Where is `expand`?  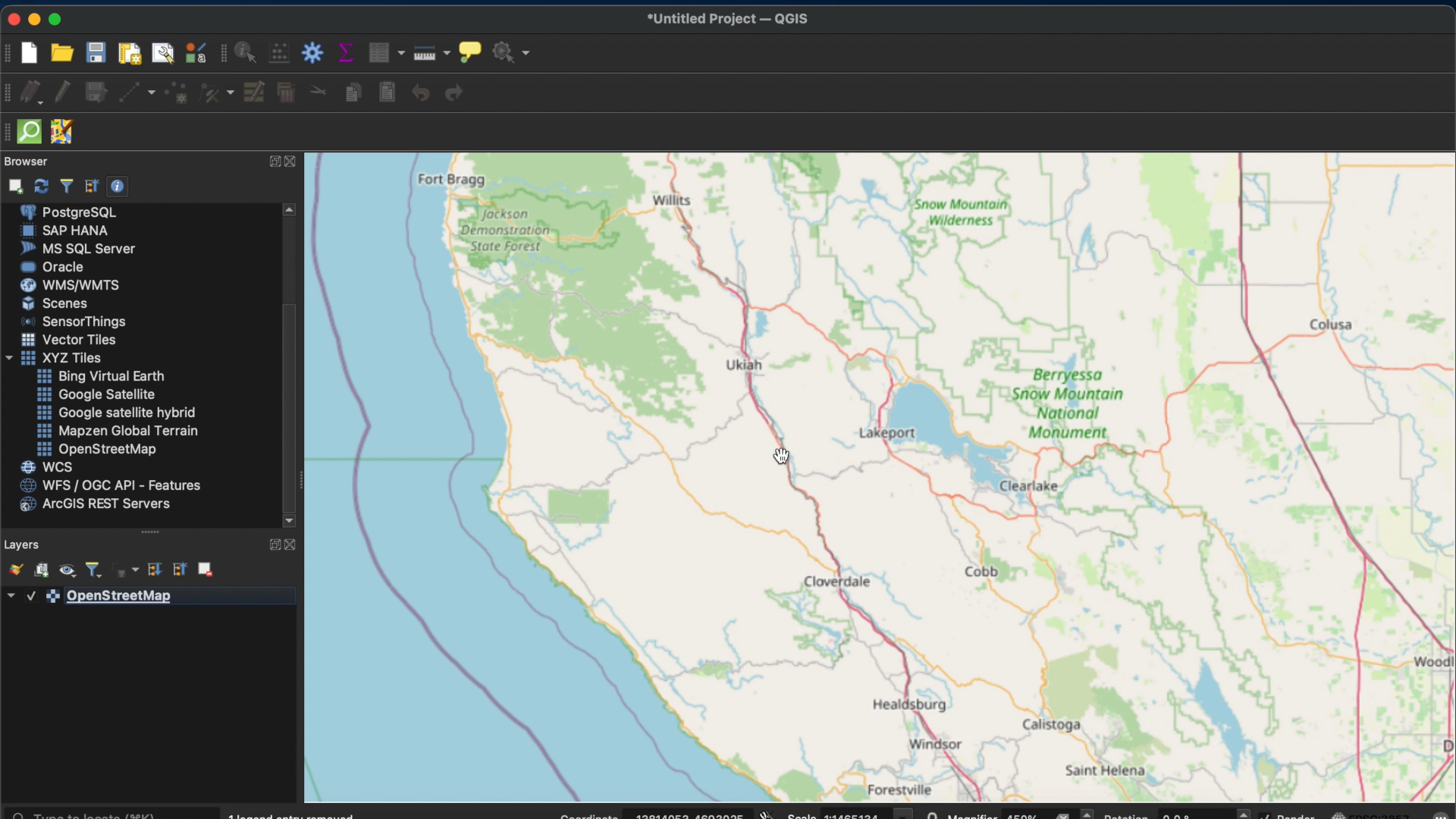 expand is located at coordinates (271, 162).